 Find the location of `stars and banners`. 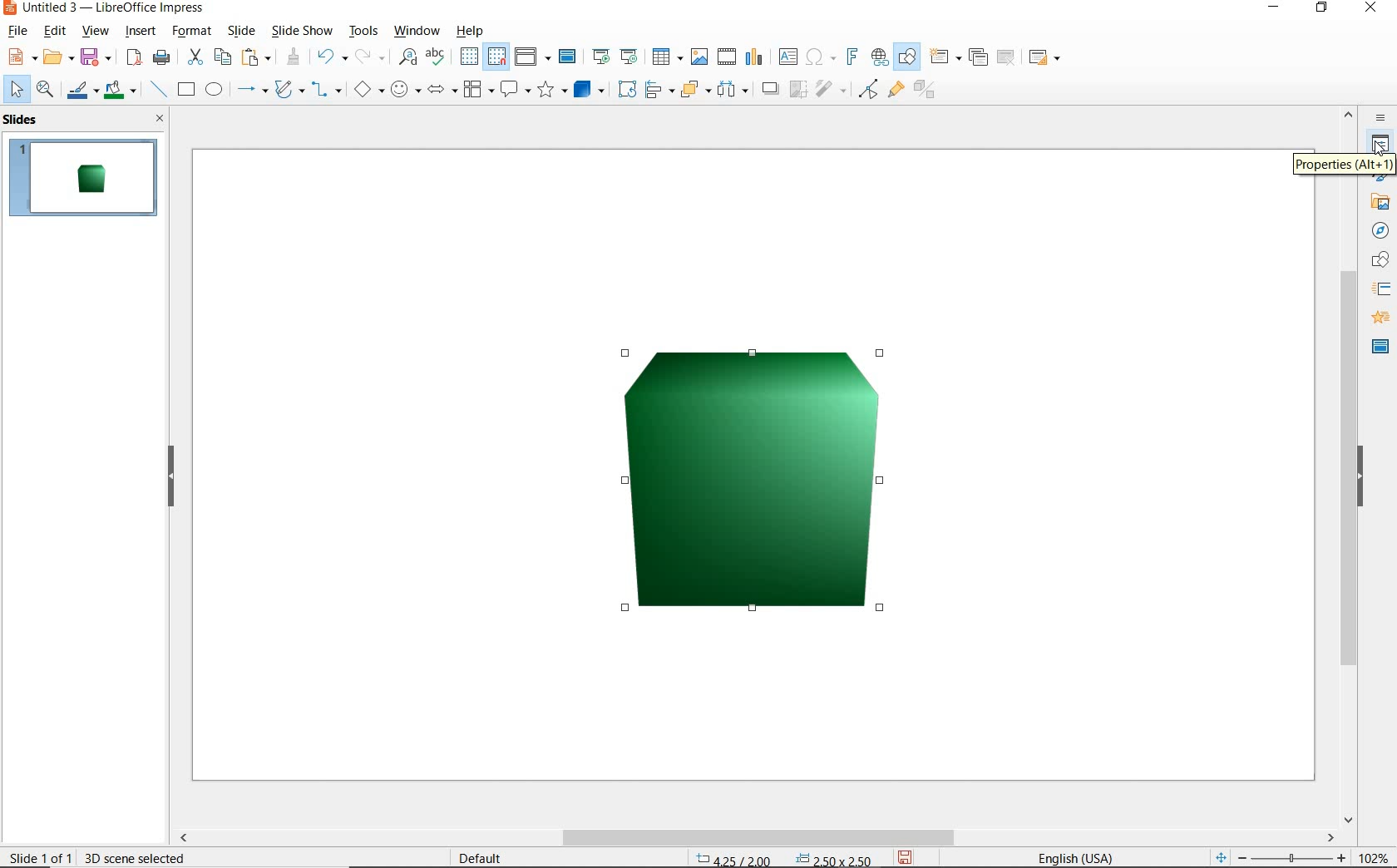

stars and banners is located at coordinates (553, 92).